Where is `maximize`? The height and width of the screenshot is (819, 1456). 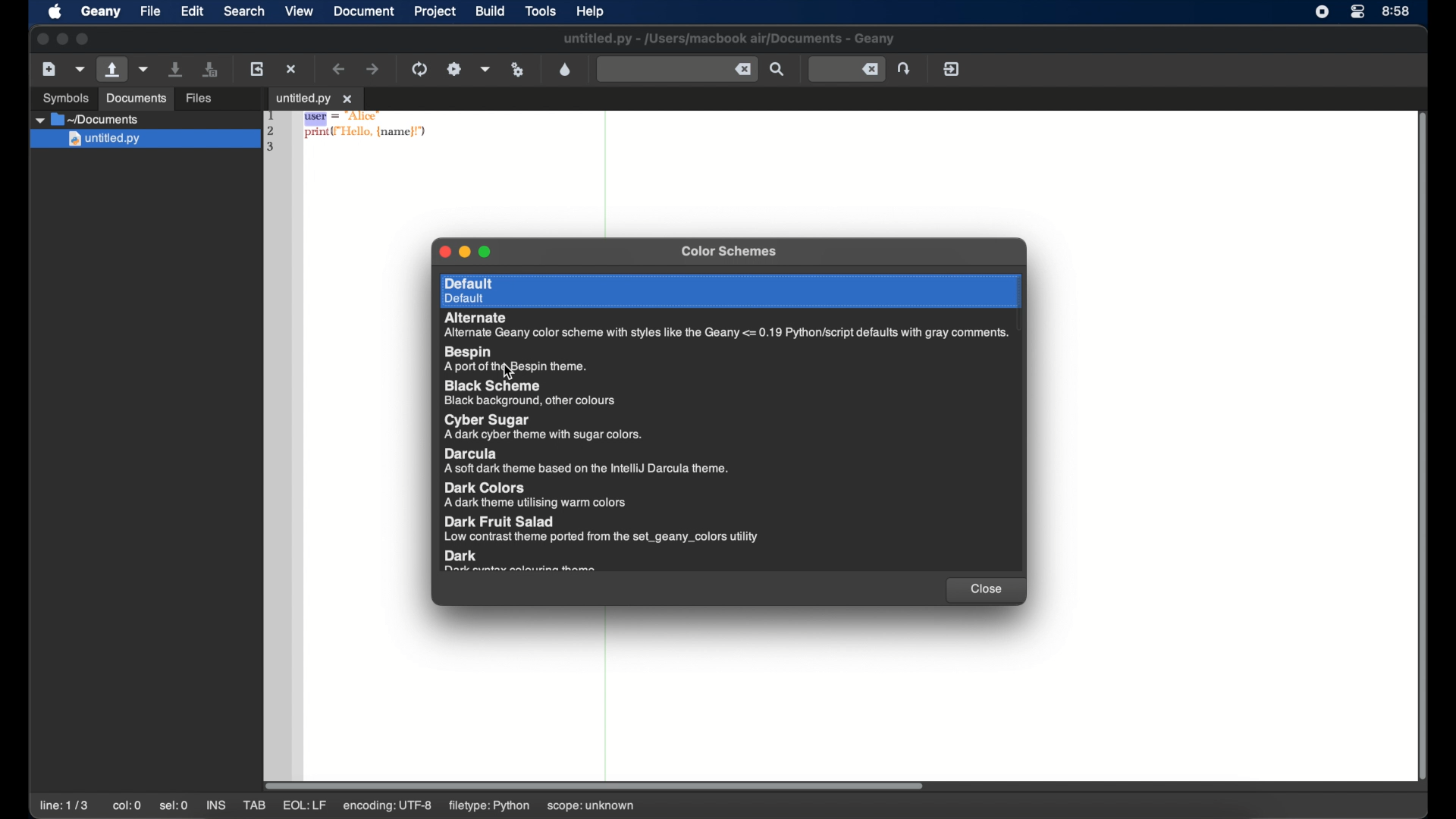
maximize is located at coordinates (486, 252).